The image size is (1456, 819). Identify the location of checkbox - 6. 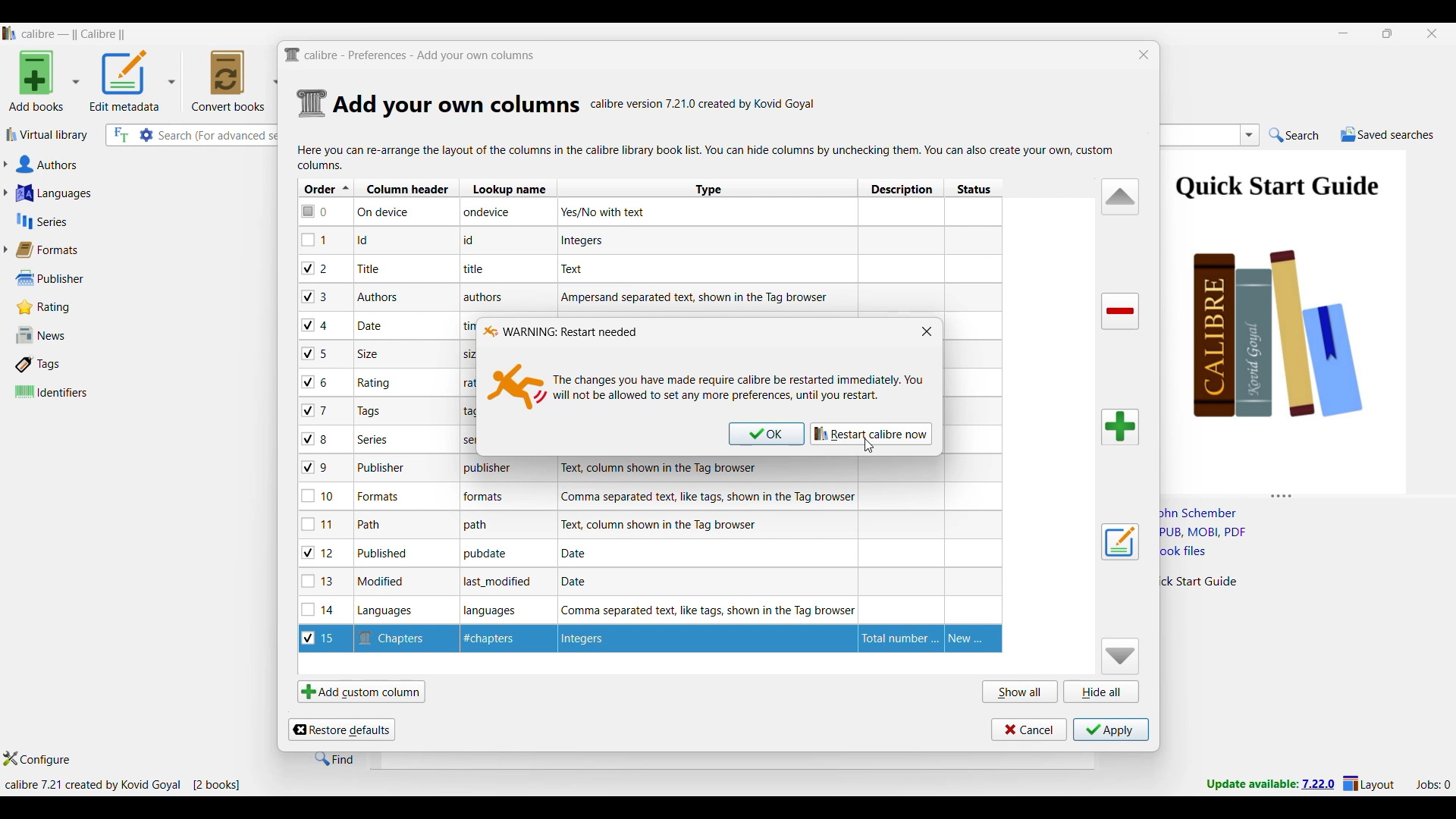
(318, 383).